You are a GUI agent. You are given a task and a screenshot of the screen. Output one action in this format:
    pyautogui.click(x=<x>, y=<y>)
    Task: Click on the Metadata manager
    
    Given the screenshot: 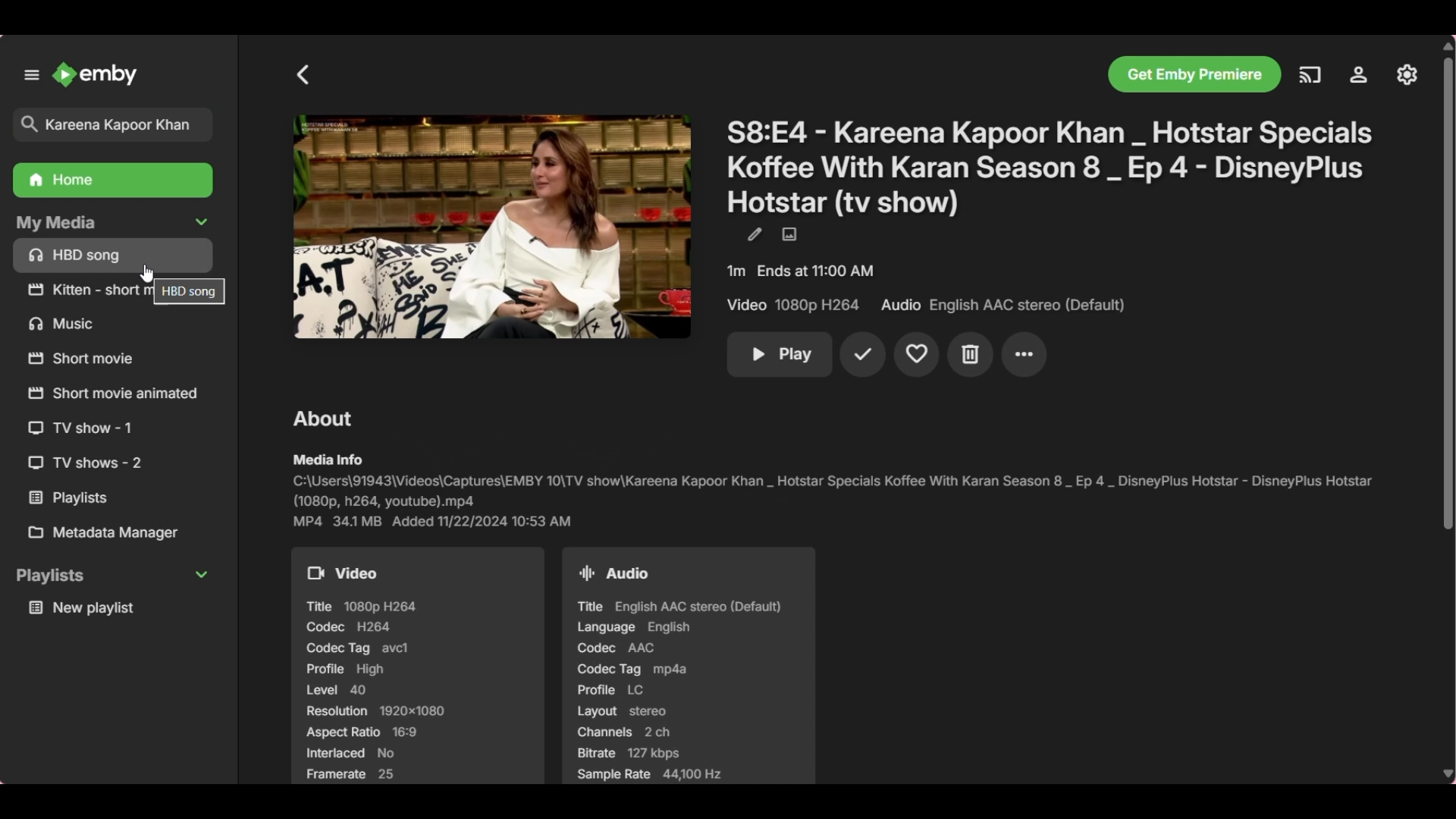 What is the action you would take?
    pyautogui.click(x=115, y=533)
    